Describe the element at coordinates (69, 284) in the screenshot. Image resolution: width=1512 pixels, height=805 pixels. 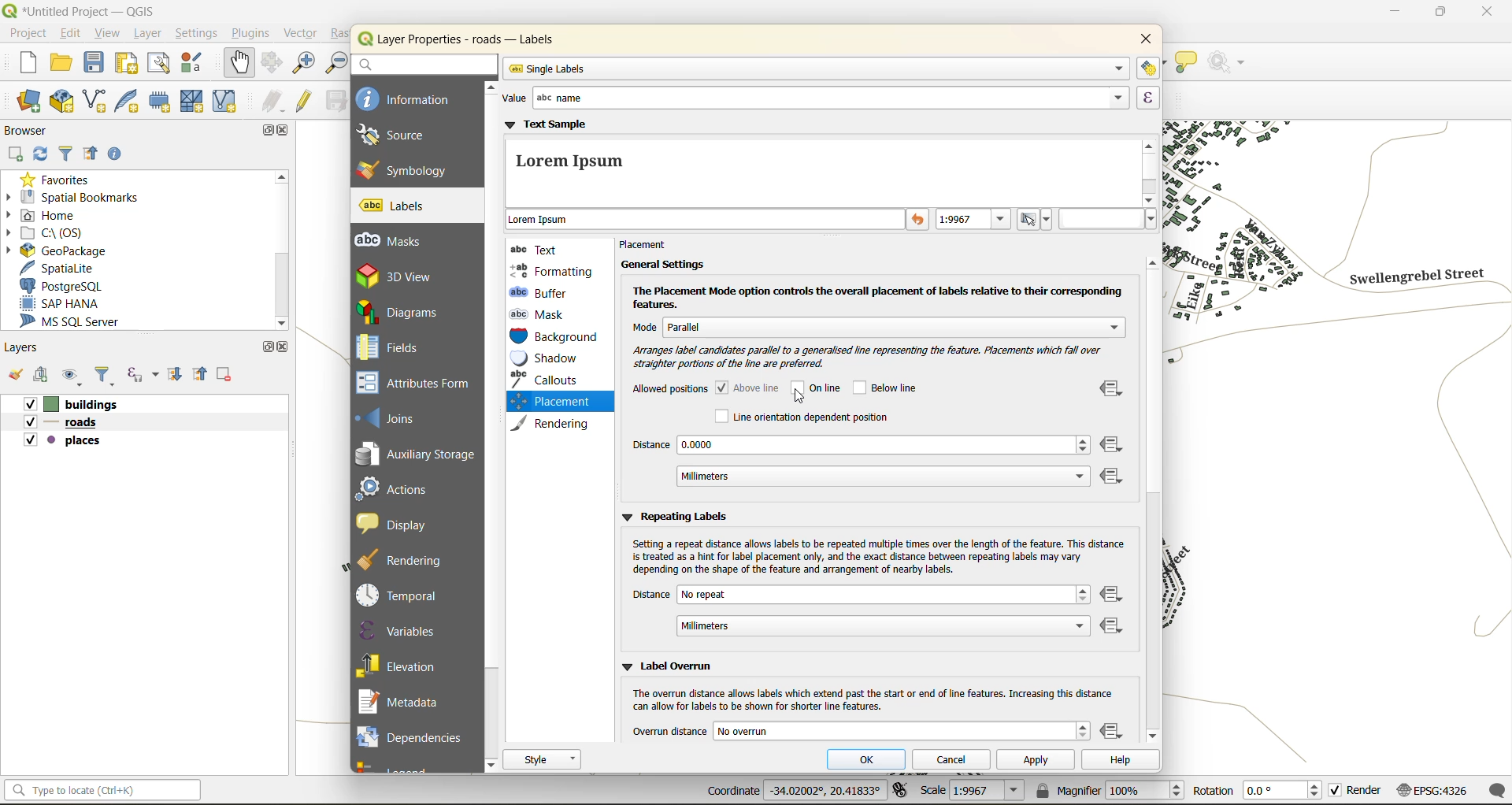
I see `postgresql` at that location.